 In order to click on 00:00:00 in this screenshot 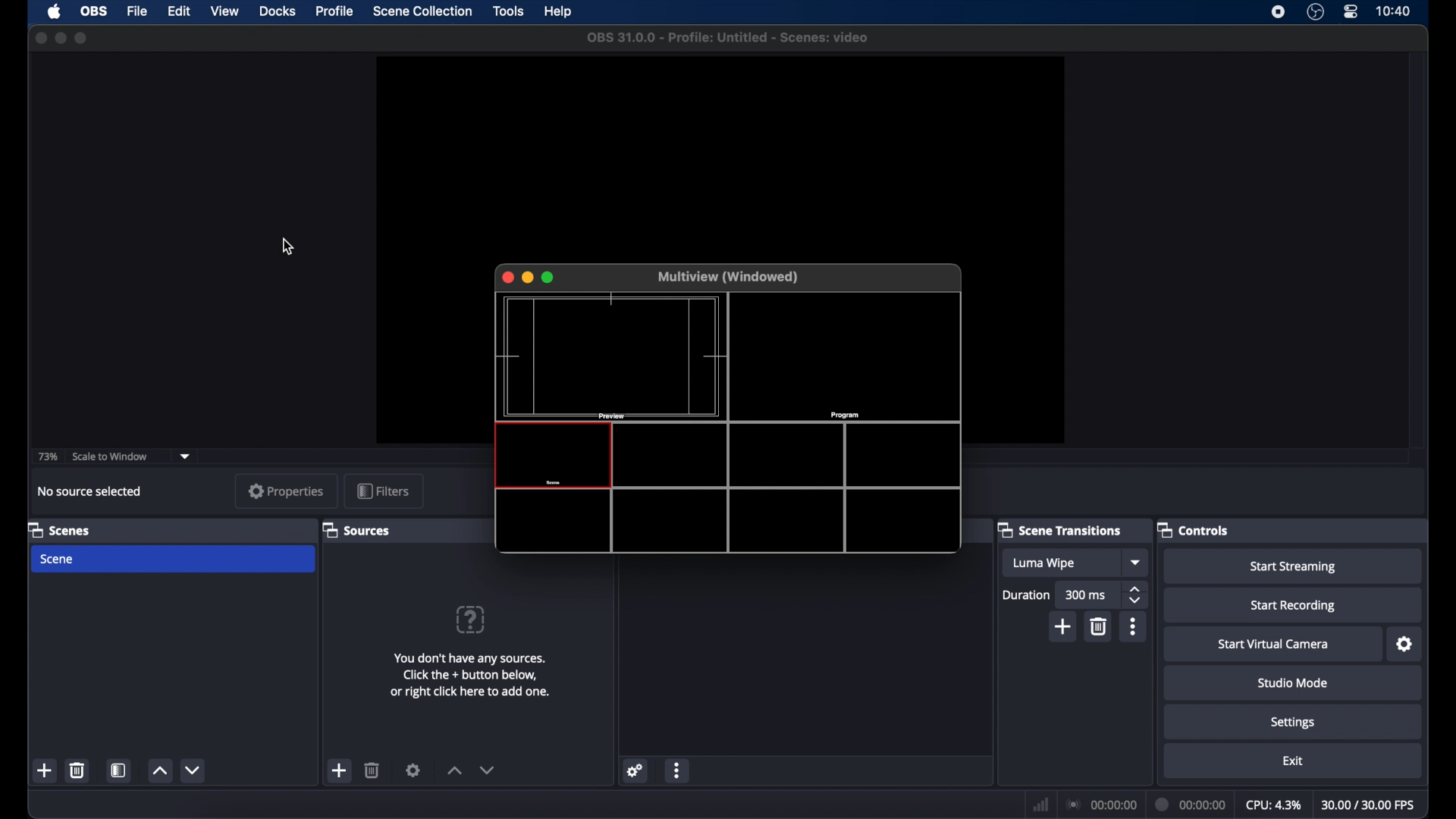, I will do `click(1103, 805)`.